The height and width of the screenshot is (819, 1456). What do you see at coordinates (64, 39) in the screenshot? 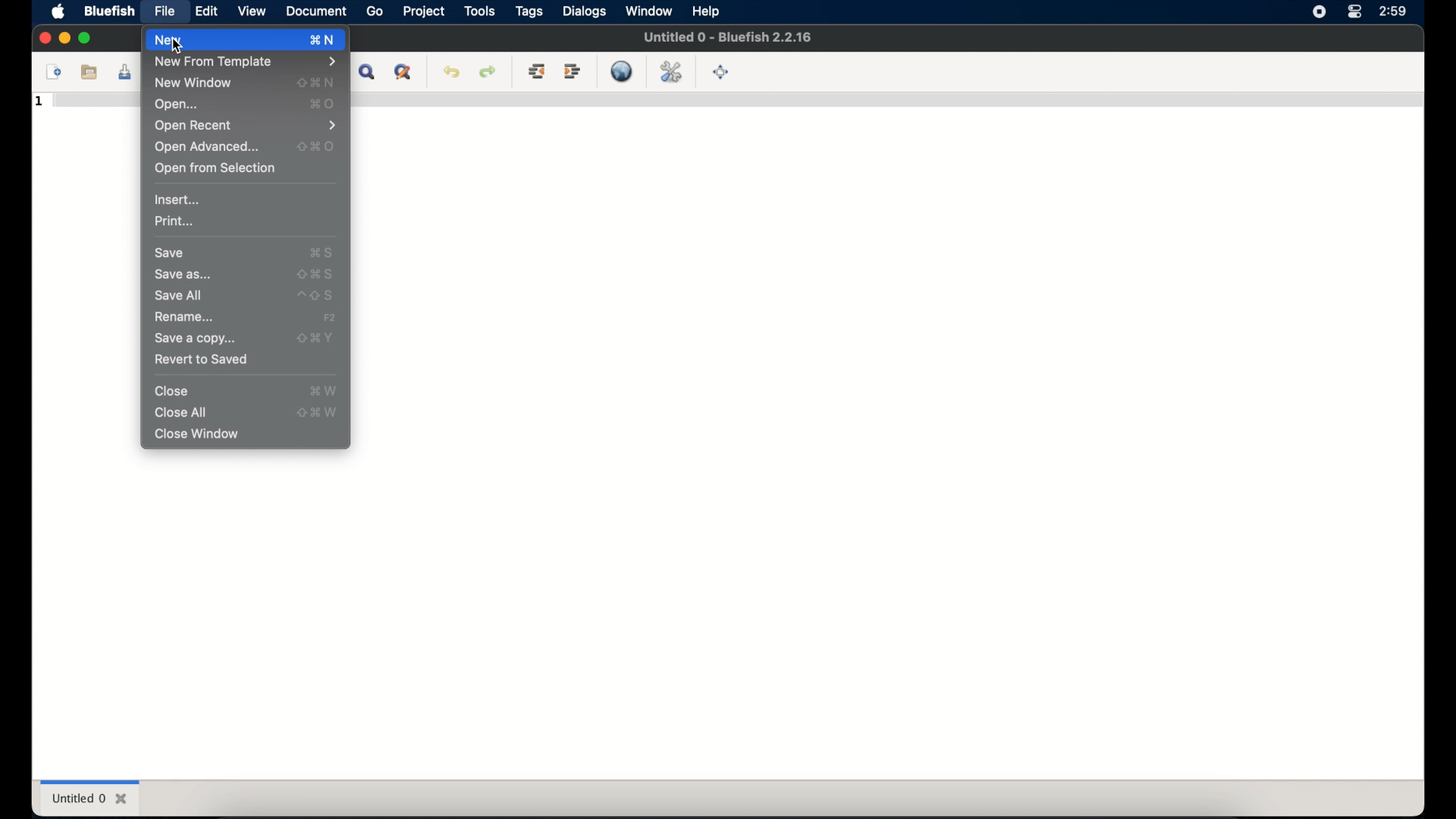
I see `minimize` at bounding box center [64, 39].